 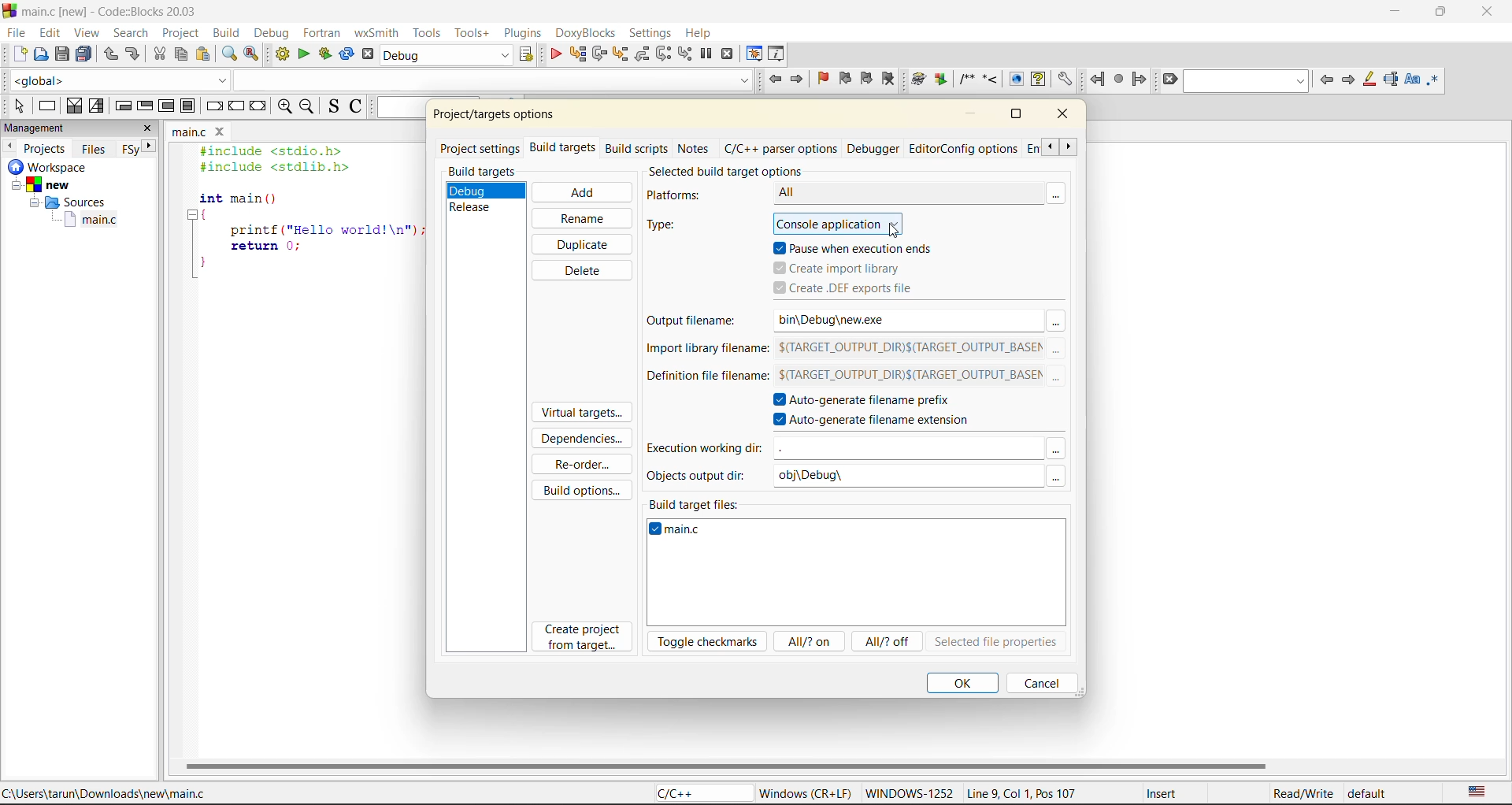 I want to click on C/C++, so click(x=698, y=792).